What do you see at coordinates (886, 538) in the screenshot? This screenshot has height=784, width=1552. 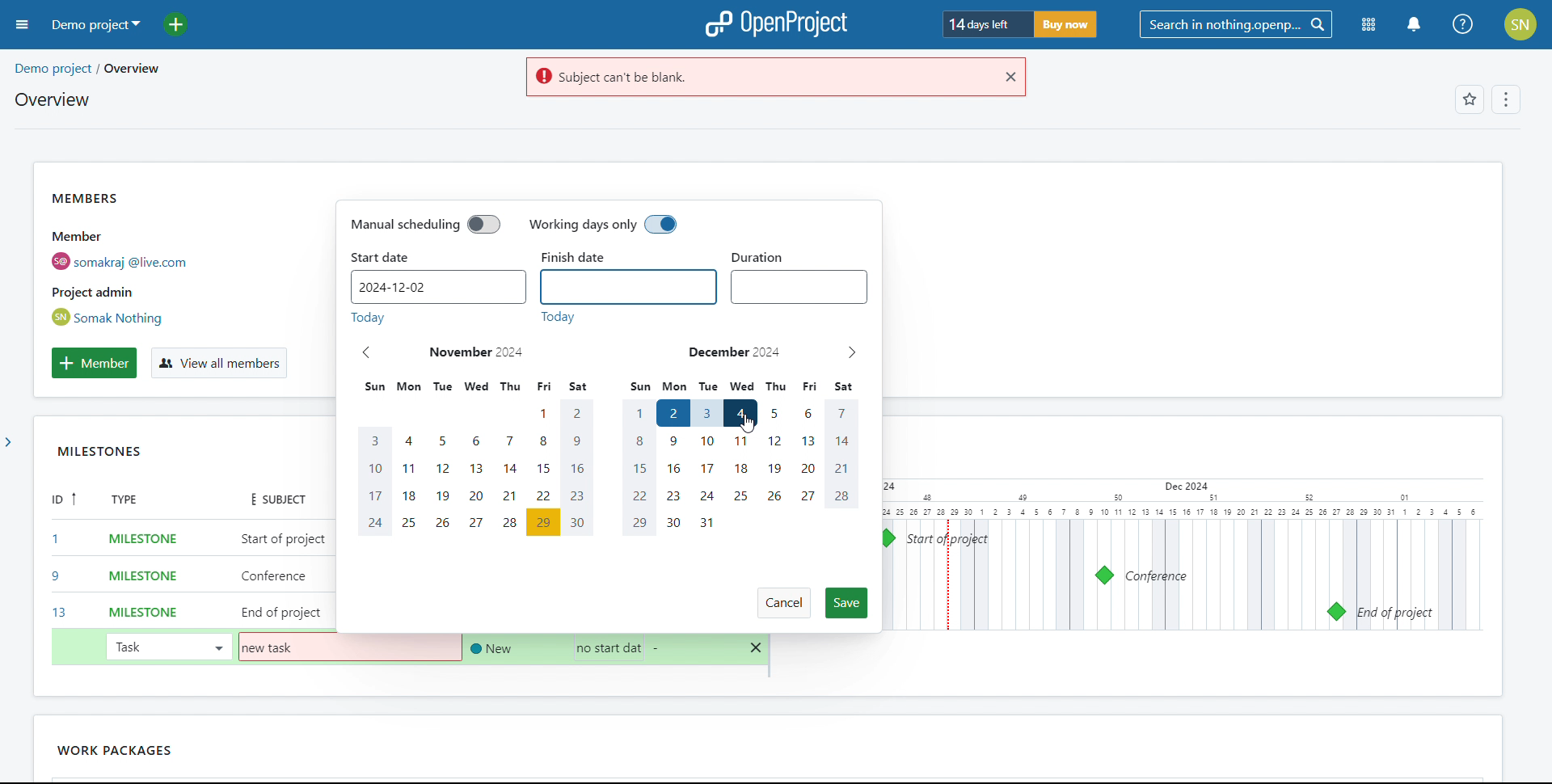 I see `milestone 1` at bounding box center [886, 538].